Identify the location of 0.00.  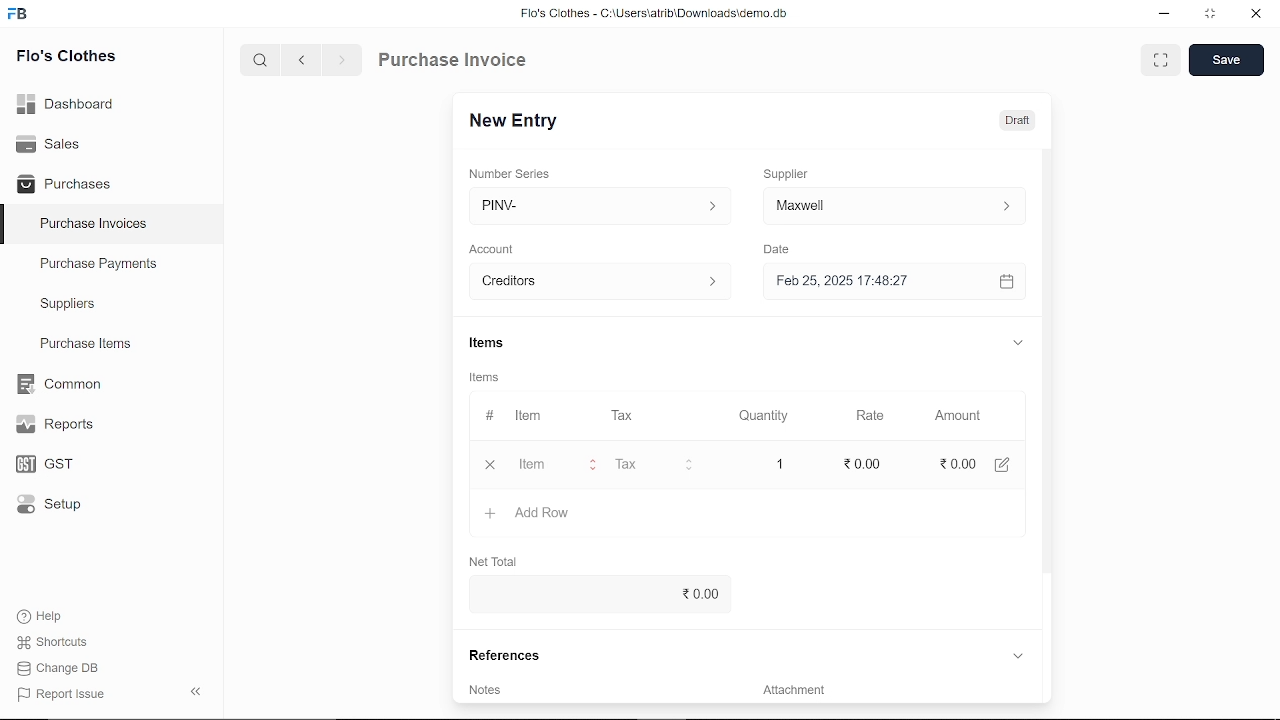
(594, 594).